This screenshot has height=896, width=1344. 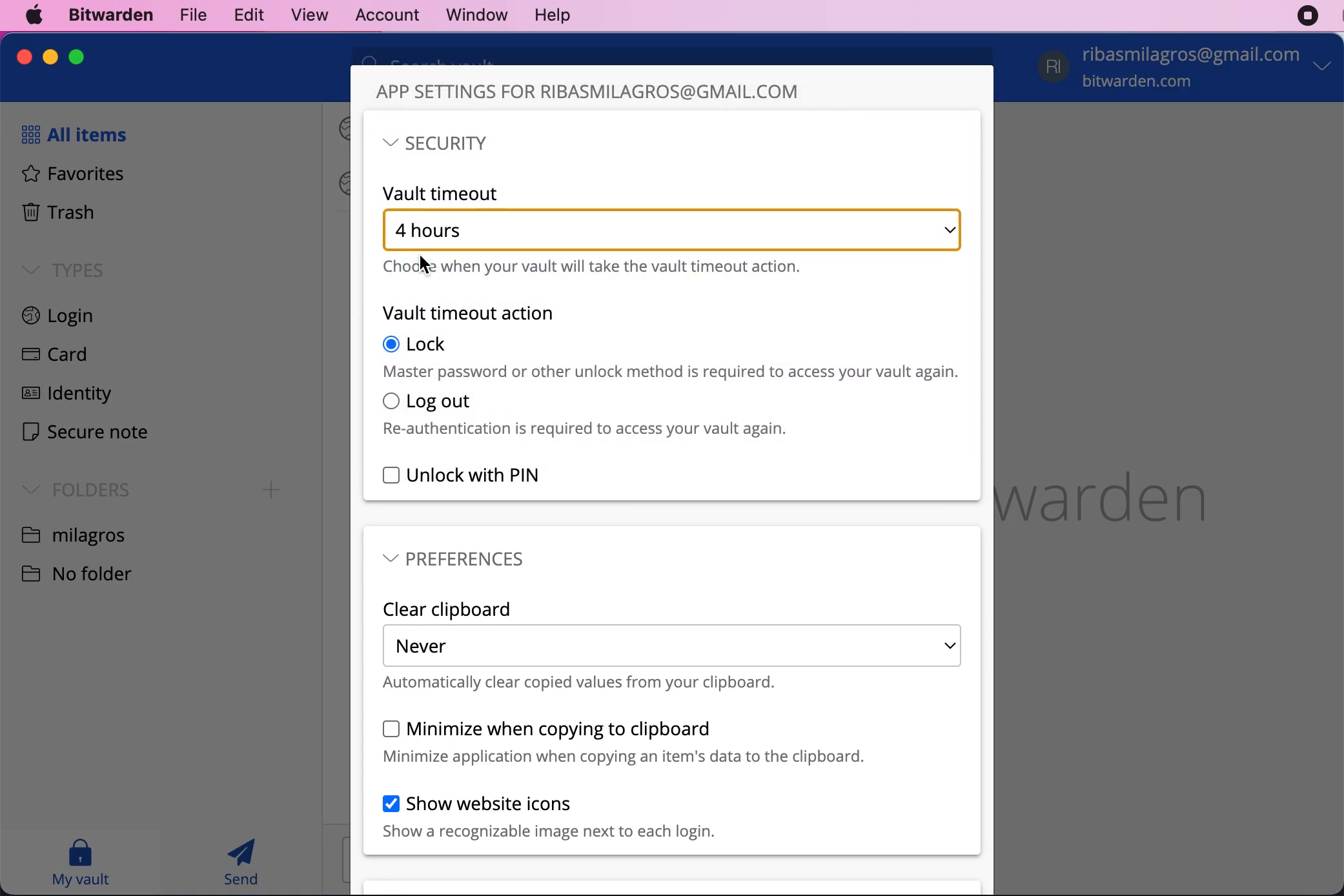 What do you see at coordinates (303, 15) in the screenshot?
I see `view` at bounding box center [303, 15].